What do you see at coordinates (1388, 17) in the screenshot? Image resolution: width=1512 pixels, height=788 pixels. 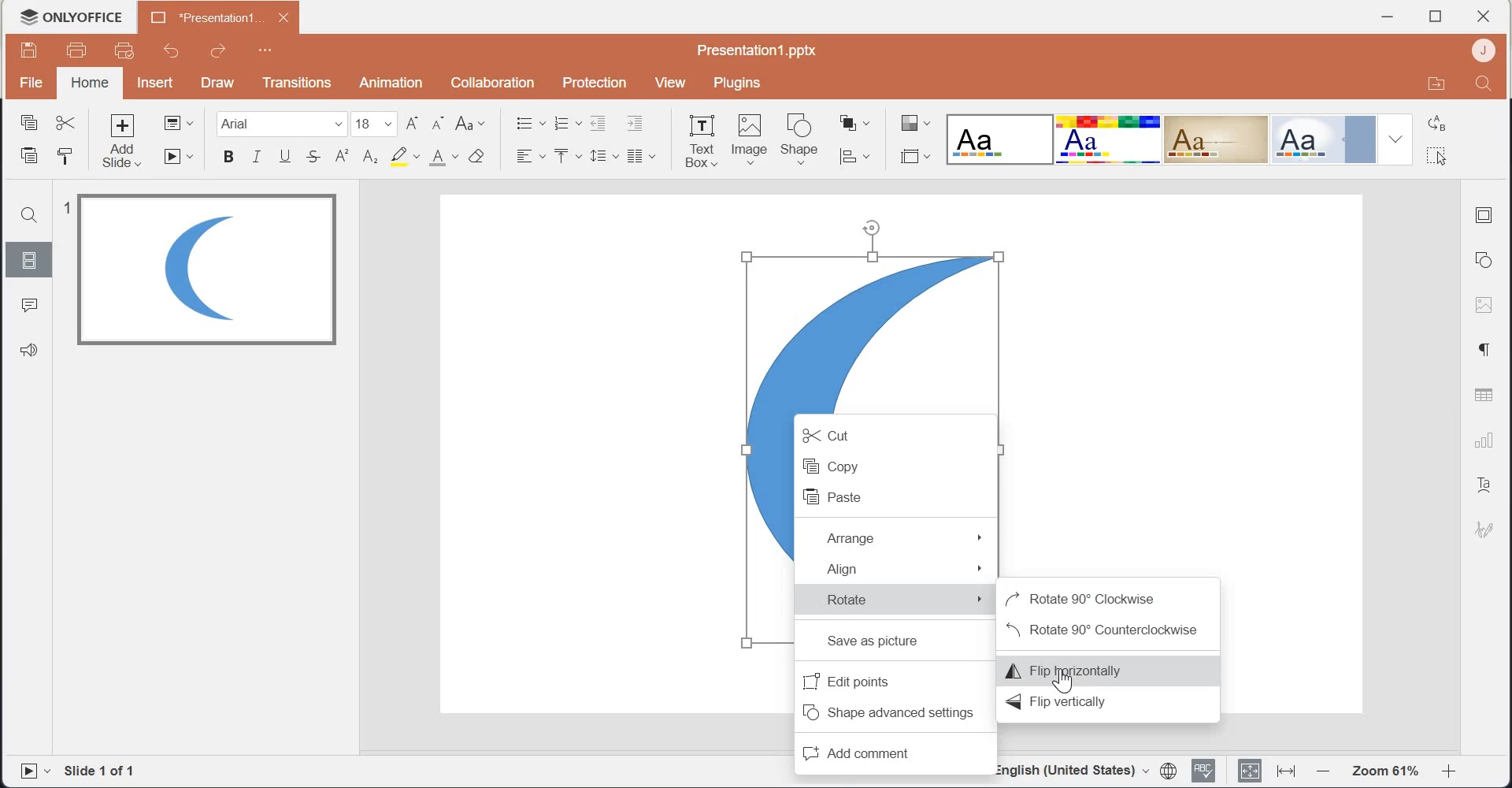 I see `Minimize` at bounding box center [1388, 17].